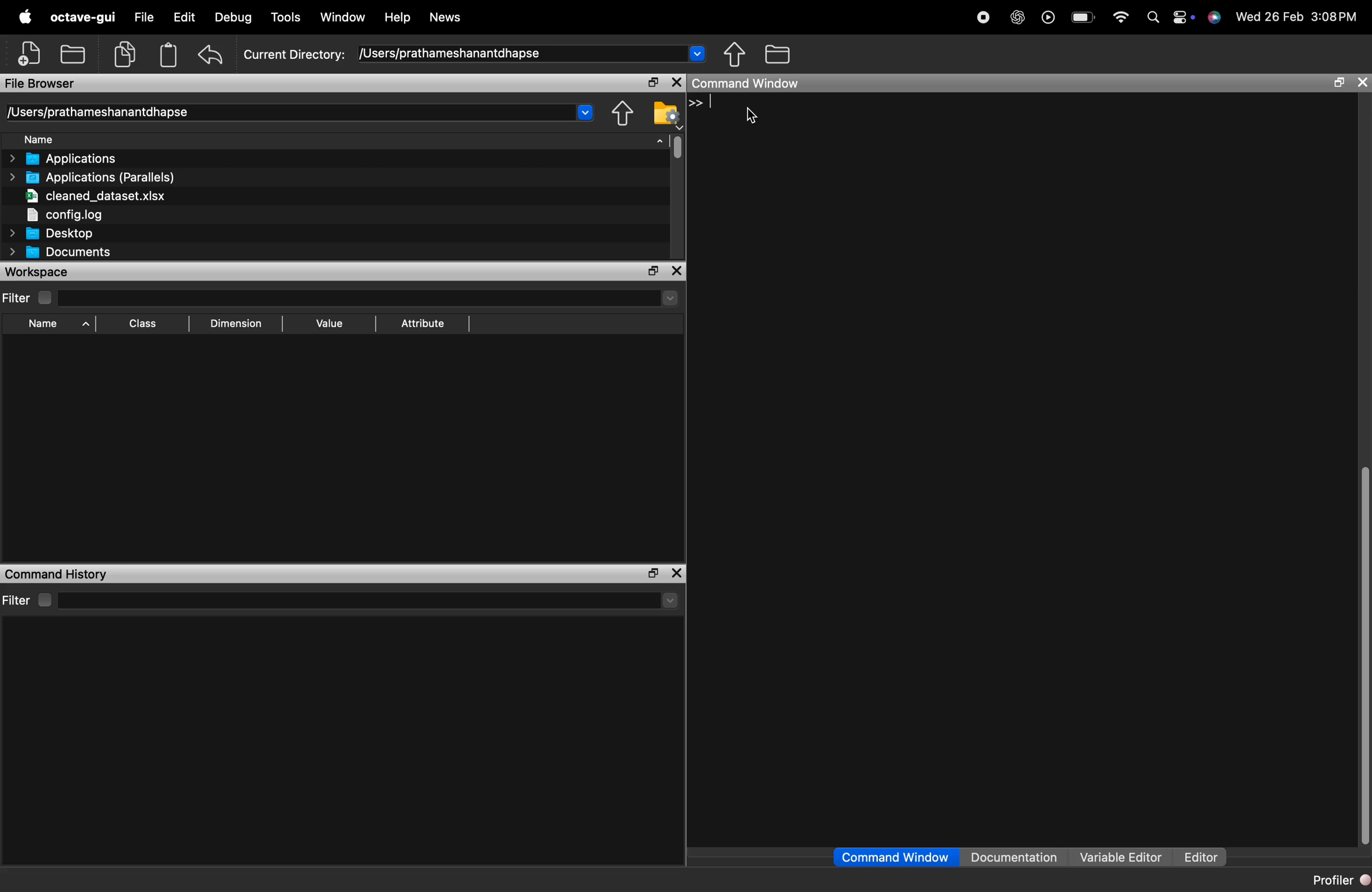 This screenshot has width=1372, height=892. Describe the element at coordinates (397, 17) in the screenshot. I see `Help` at that location.